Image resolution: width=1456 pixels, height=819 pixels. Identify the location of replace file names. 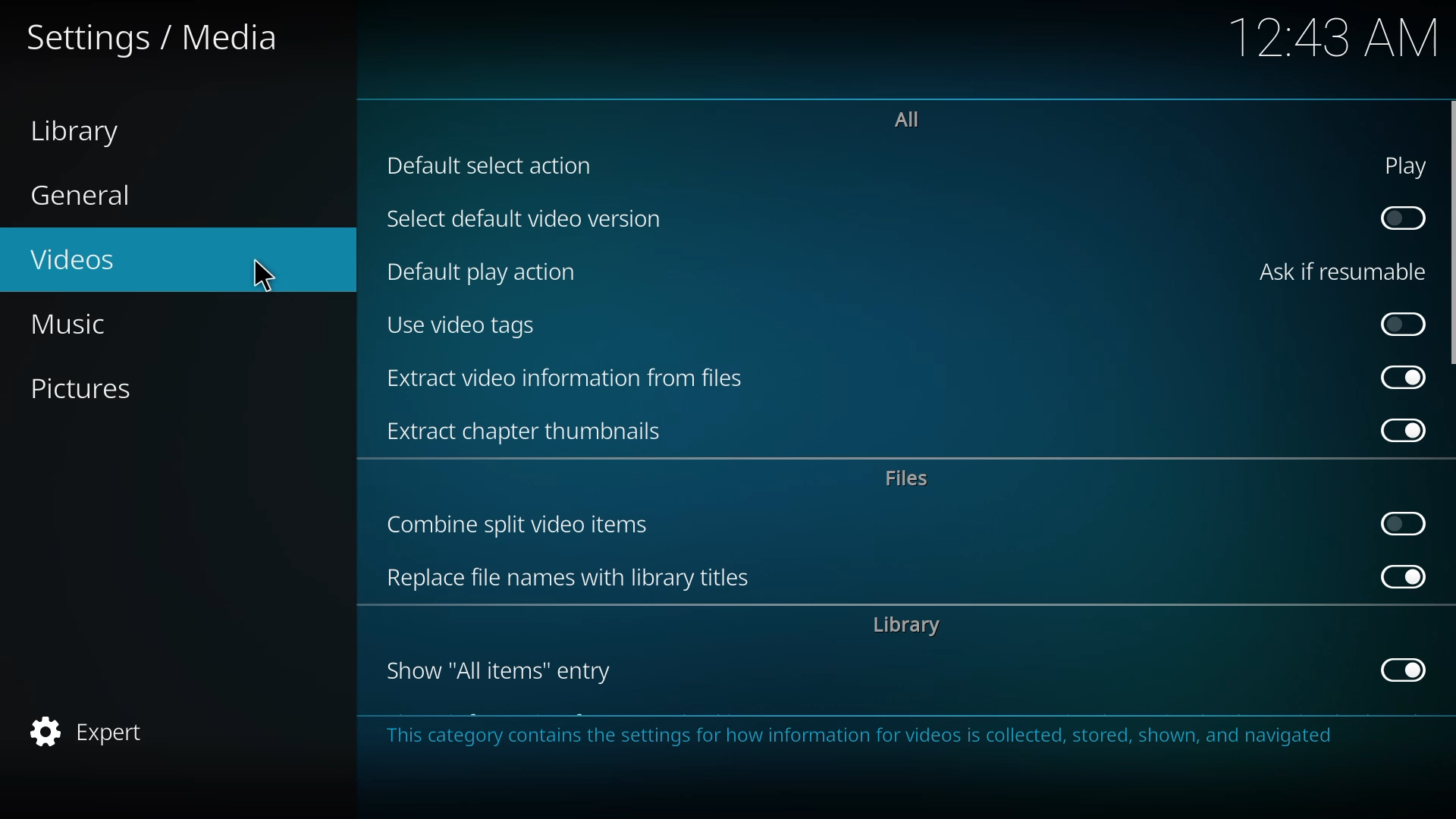
(571, 577).